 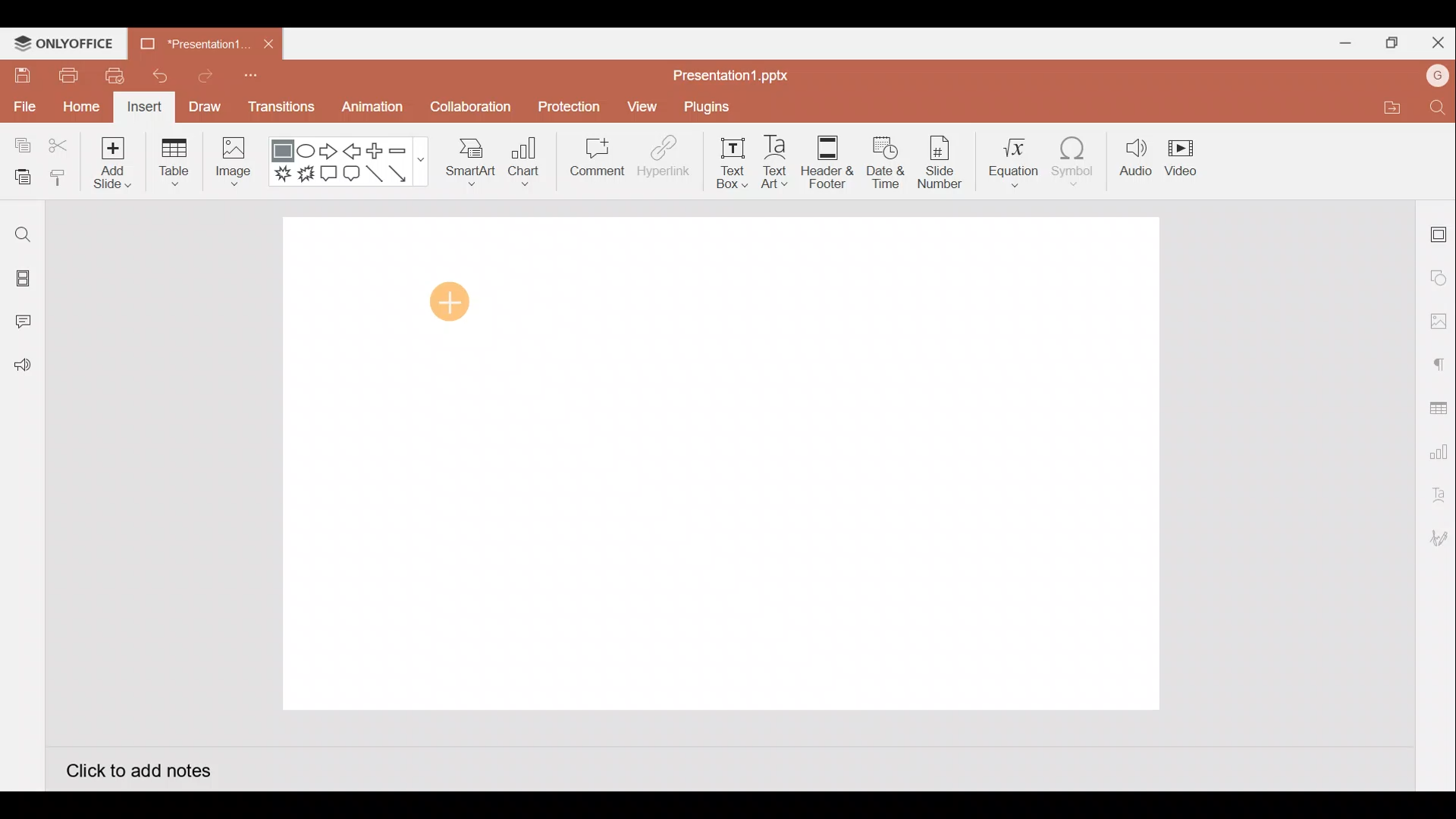 What do you see at coordinates (328, 152) in the screenshot?
I see `Right arrow` at bounding box center [328, 152].